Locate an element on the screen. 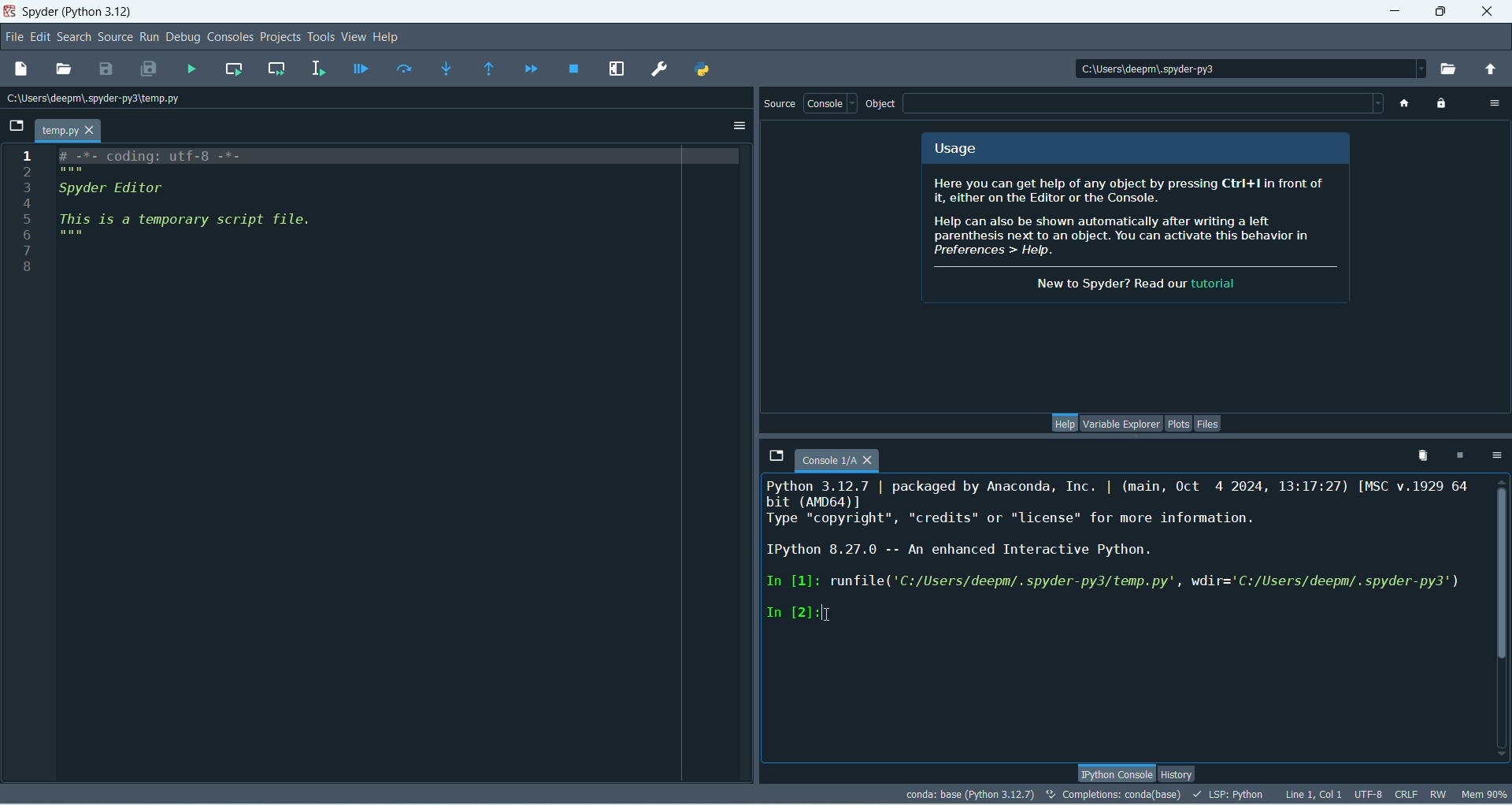 The image size is (1512, 805). run current cell is located at coordinates (233, 70).